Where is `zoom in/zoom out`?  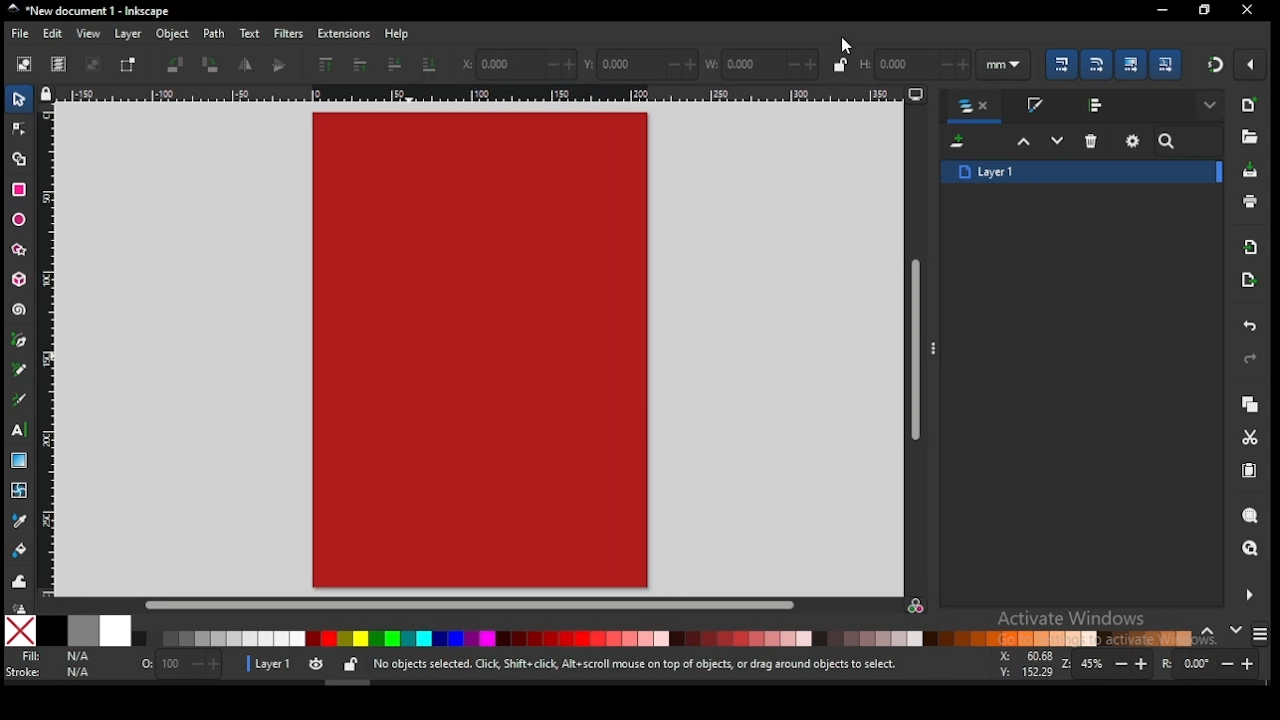
zoom in/zoom out is located at coordinates (1108, 664).